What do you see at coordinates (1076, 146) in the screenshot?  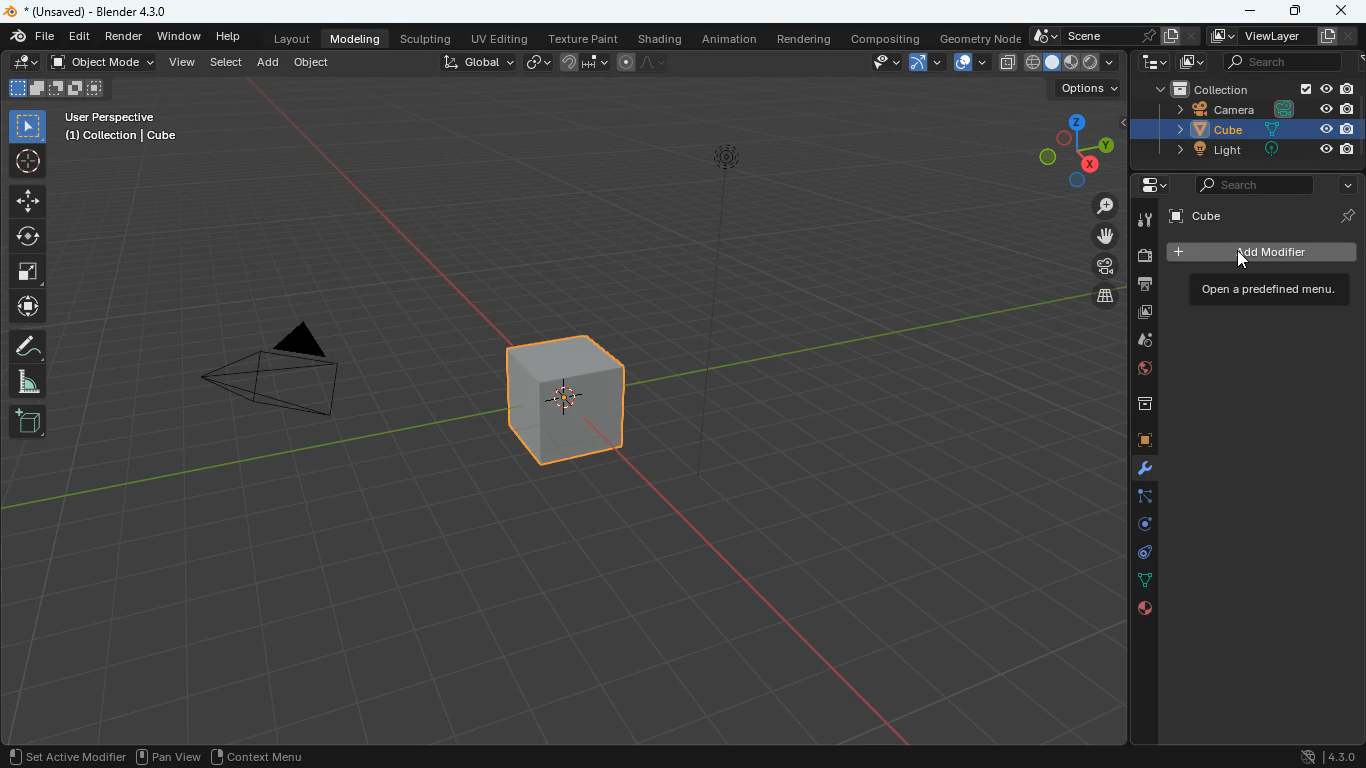 I see `dimensions` at bounding box center [1076, 146].